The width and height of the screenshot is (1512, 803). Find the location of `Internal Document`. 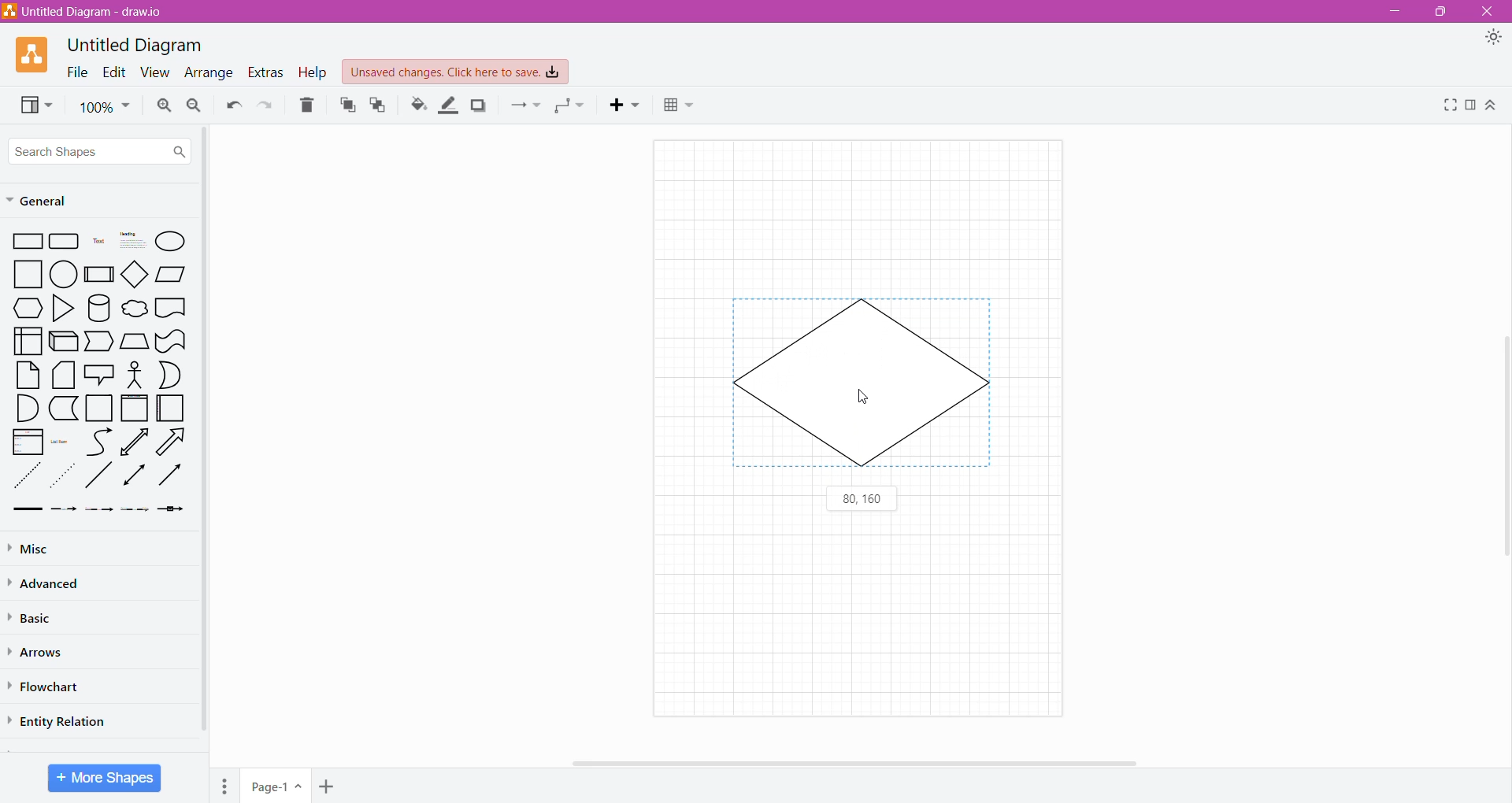

Internal Document is located at coordinates (27, 339).